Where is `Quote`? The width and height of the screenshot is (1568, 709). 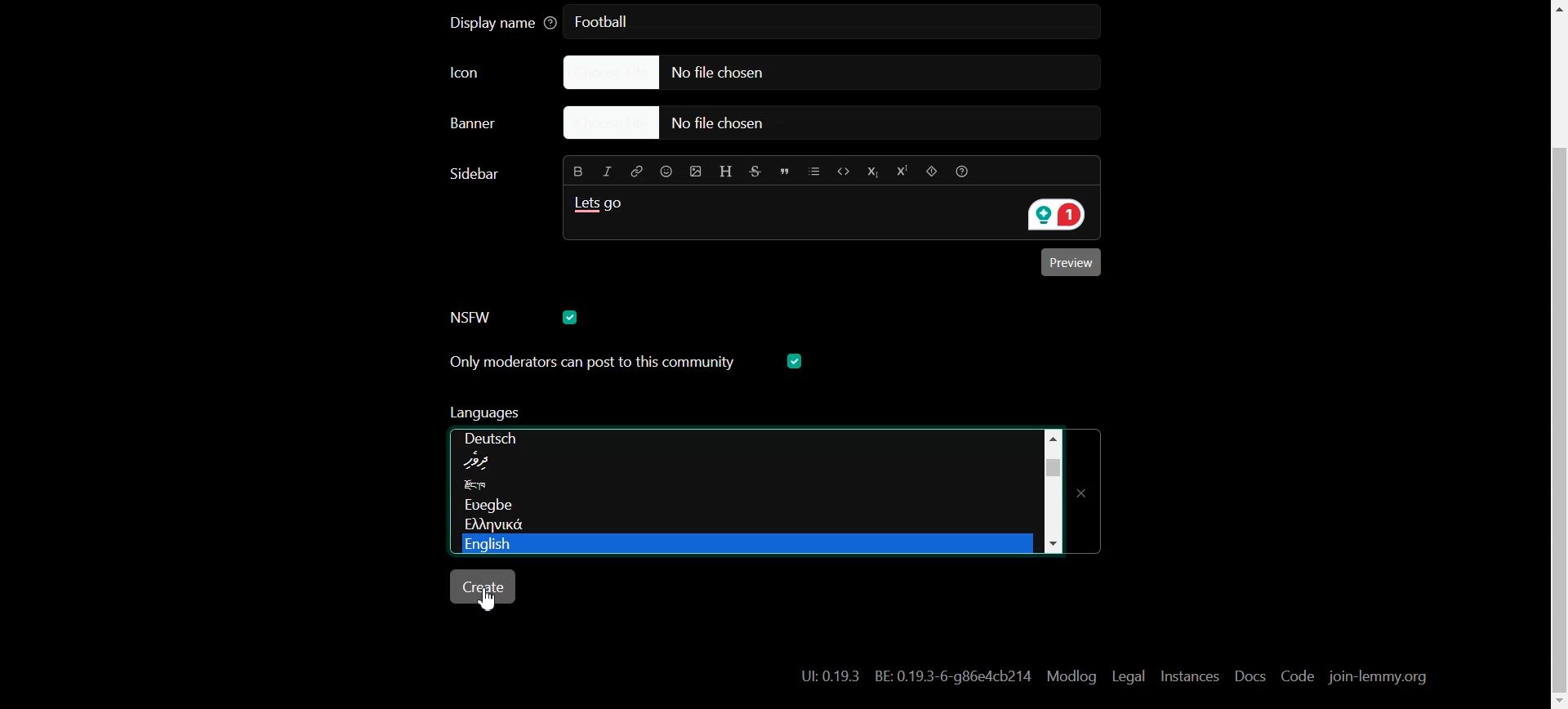 Quote is located at coordinates (786, 170).